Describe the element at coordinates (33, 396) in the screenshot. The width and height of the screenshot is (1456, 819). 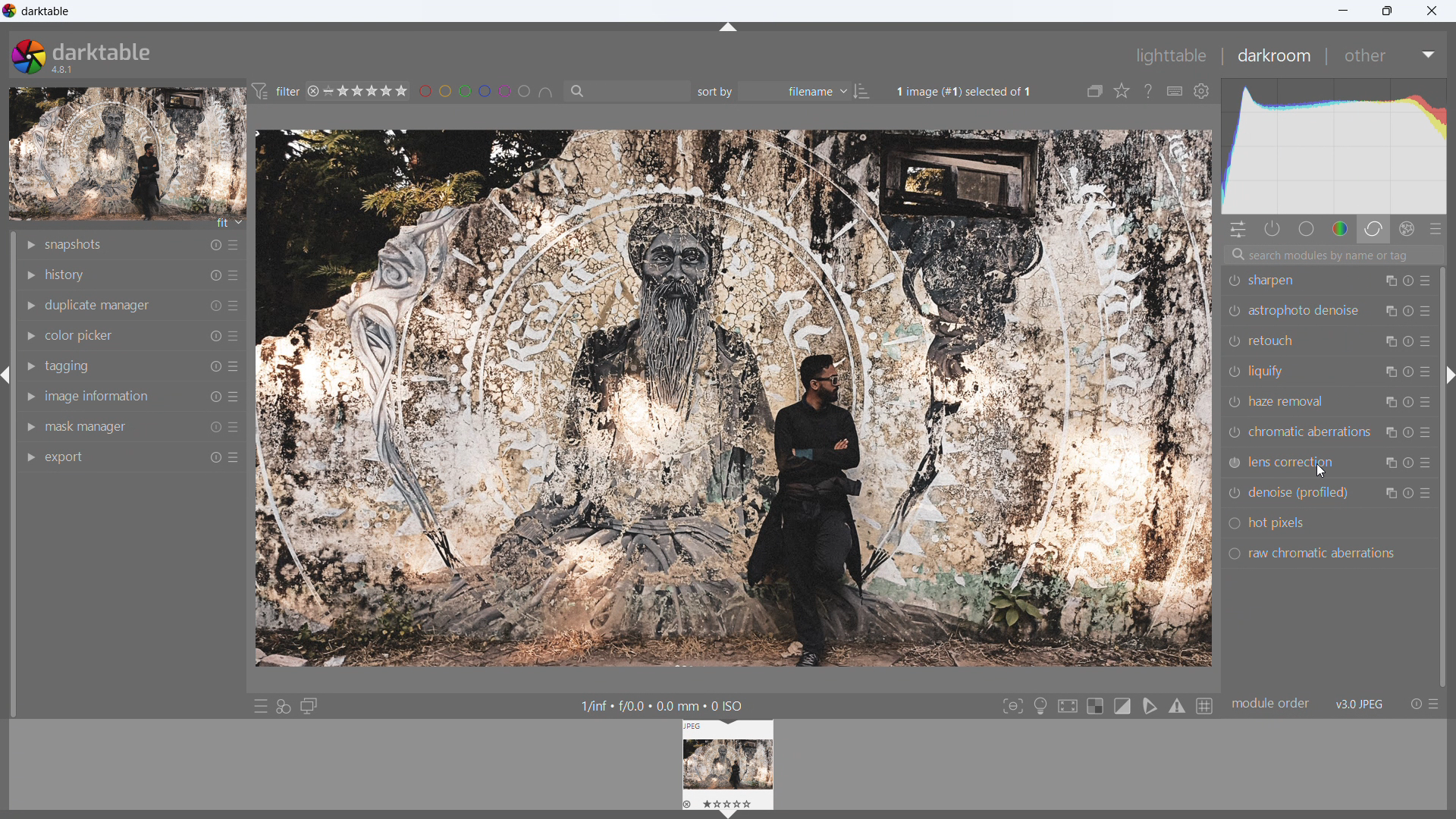
I see `show module` at that location.